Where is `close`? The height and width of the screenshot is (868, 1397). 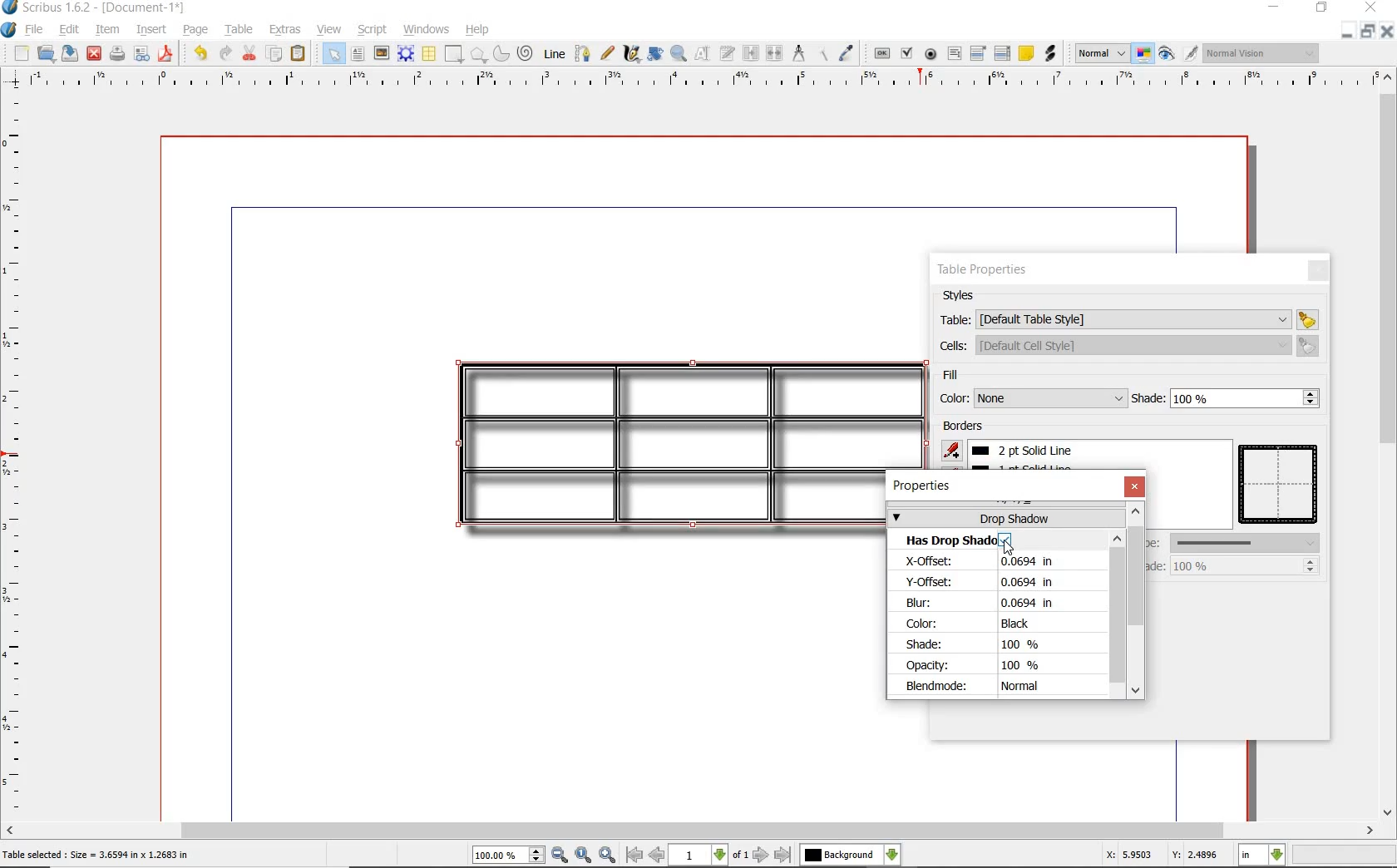 close is located at coordinates (95, 53).